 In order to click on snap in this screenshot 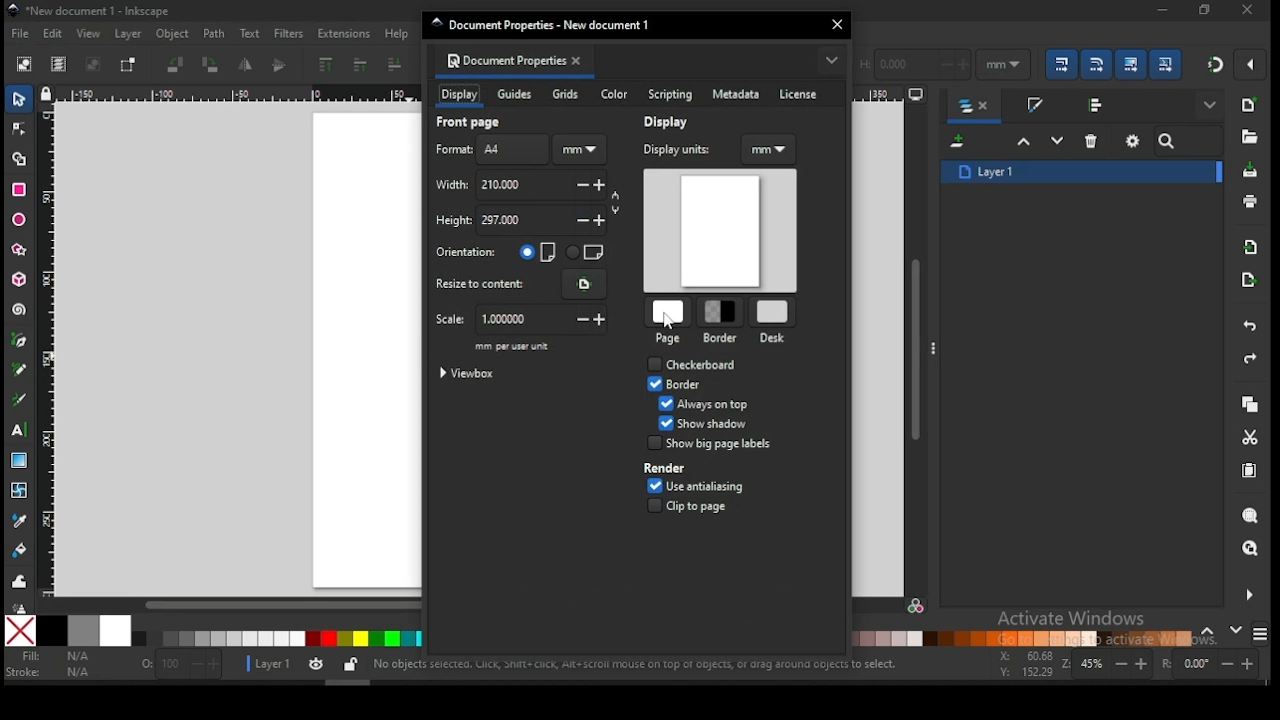, I will do `click(1216, 64)`.